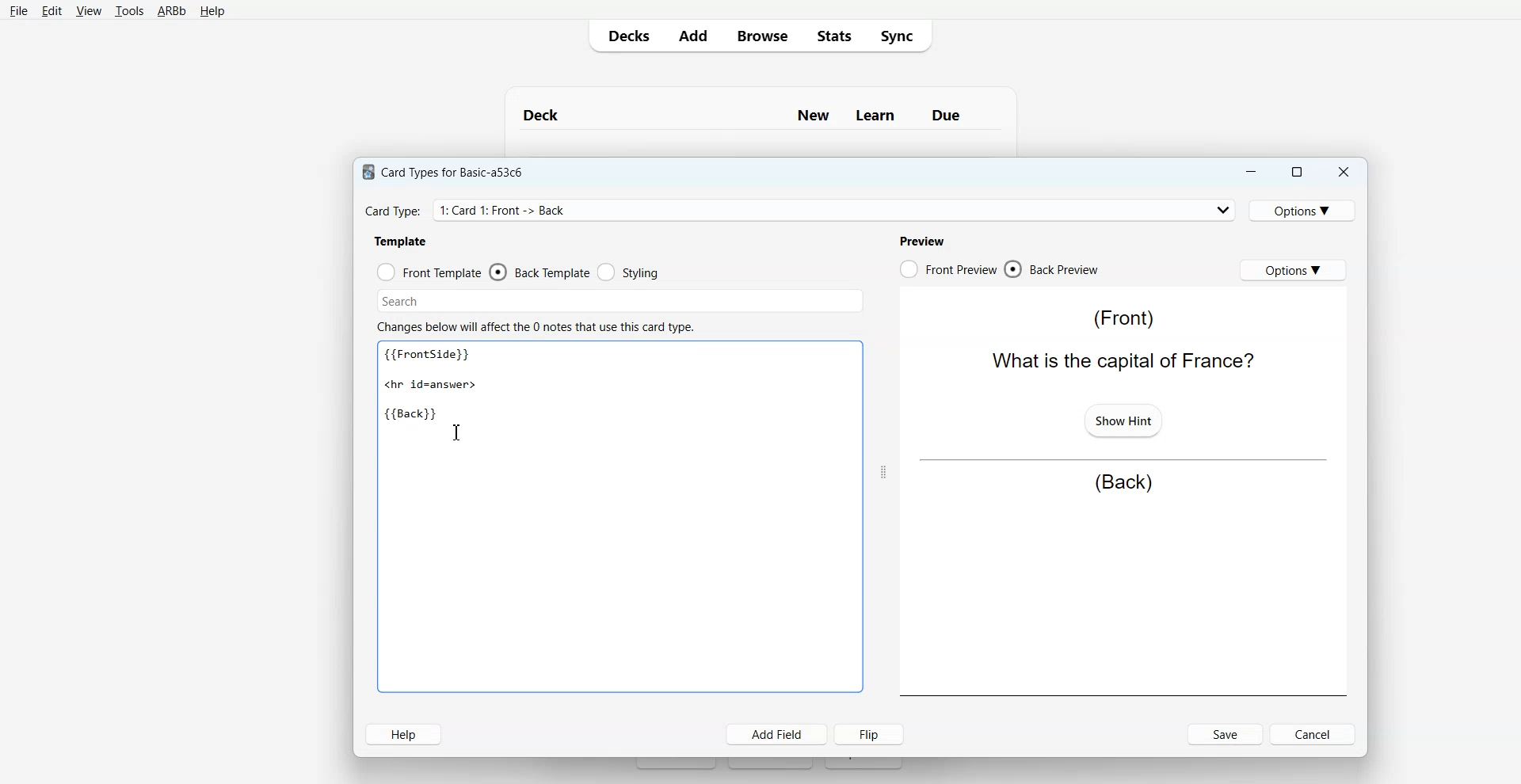  What do you see at coordinates (625, 36) in the screenshot?
I see `Decks` at bounding box center [625, 36].